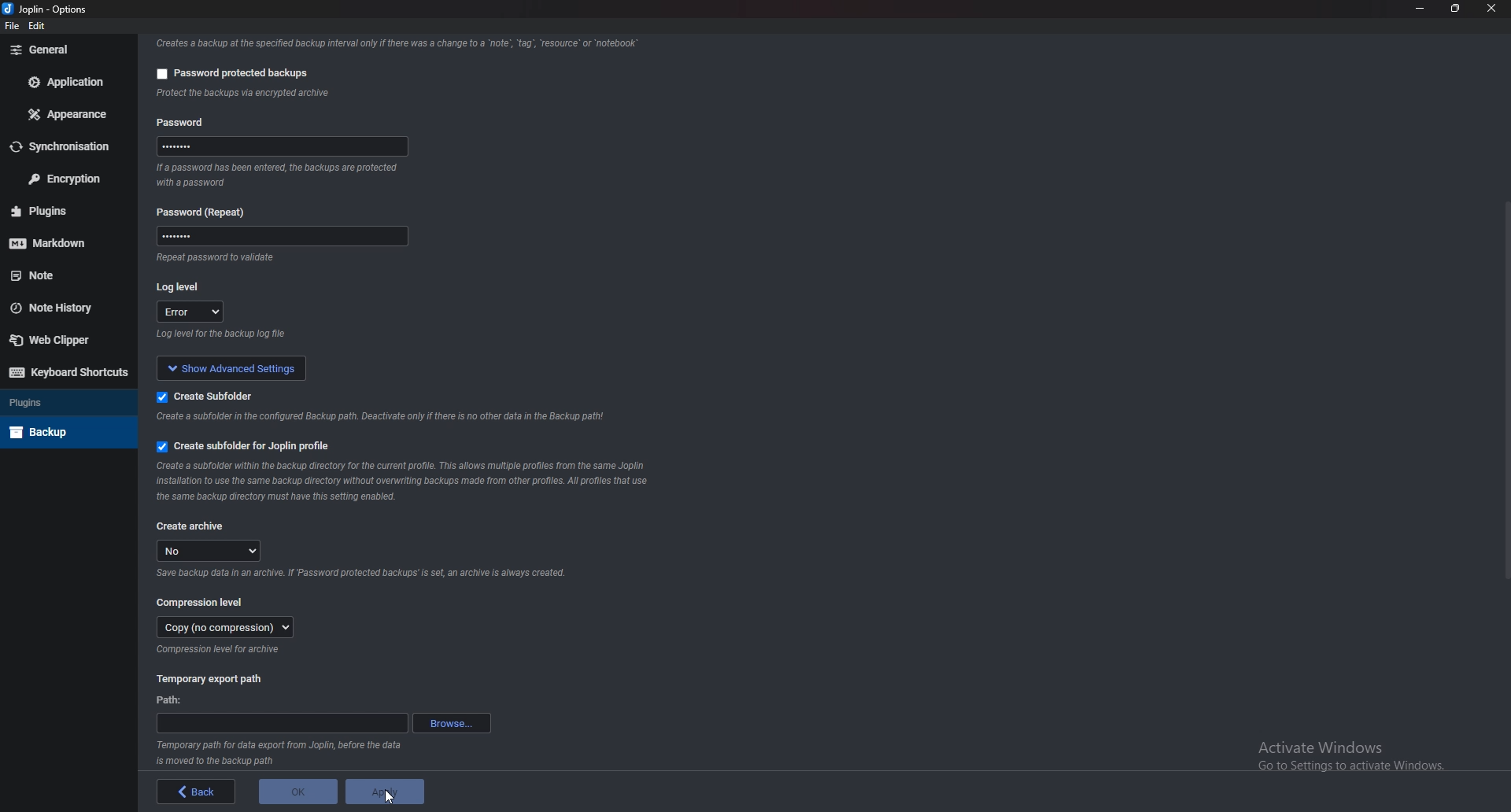 This screenshot has width=1511, height=812. I want to click on password, so click(286, 146).